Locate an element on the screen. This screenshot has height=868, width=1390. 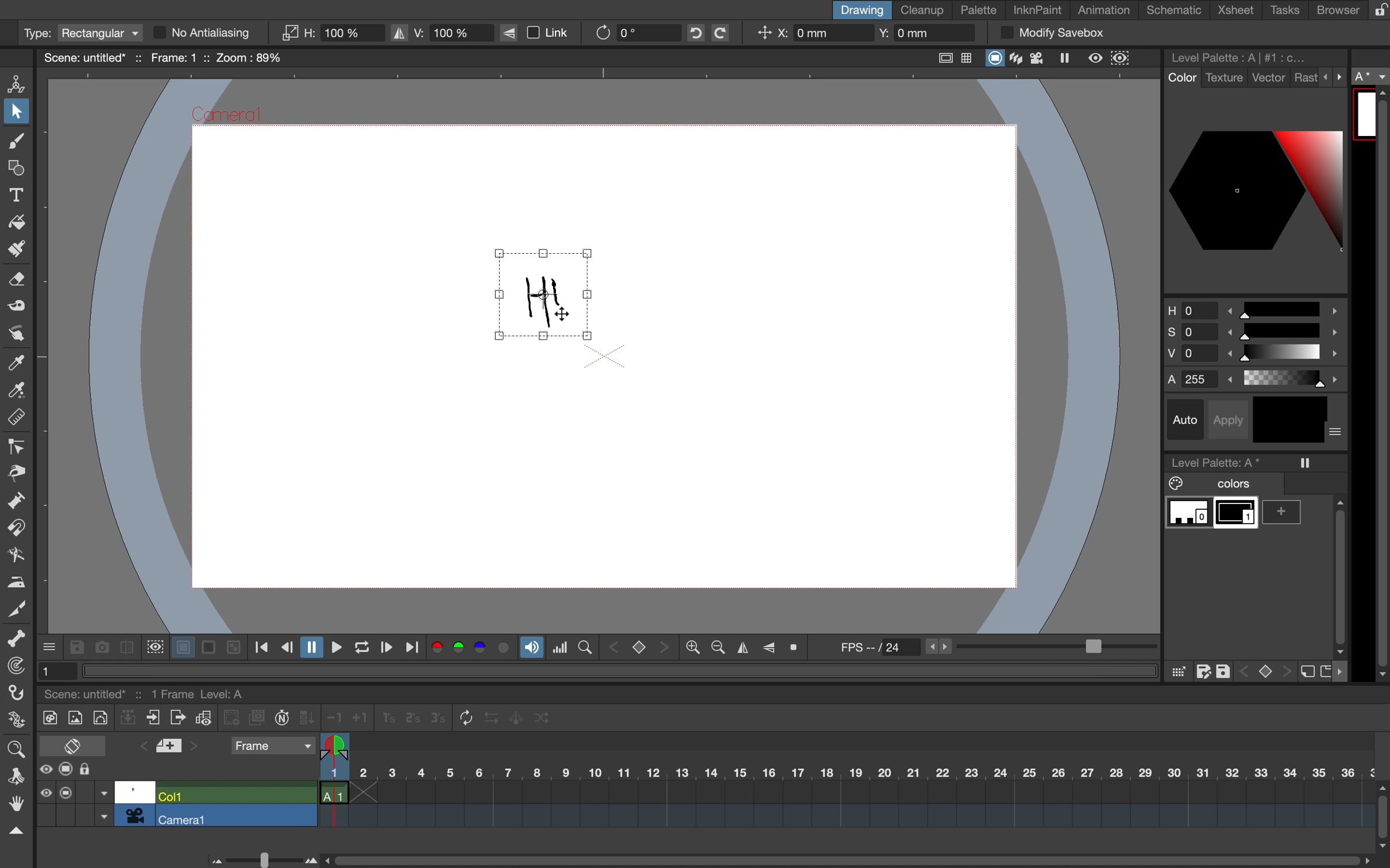
ruler tool is located at coordinates (17, 419).